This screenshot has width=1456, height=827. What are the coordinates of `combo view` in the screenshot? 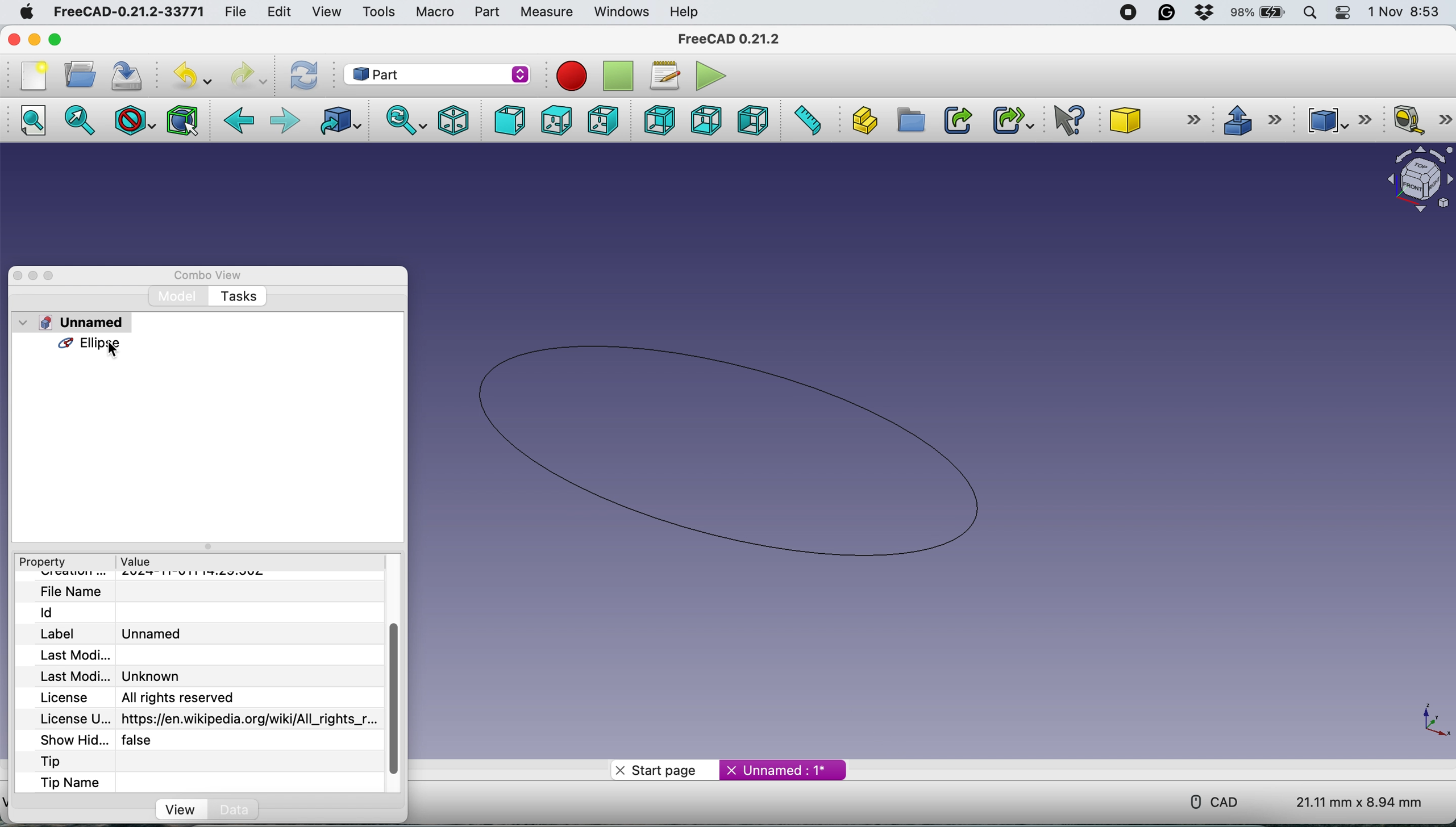 It's located at (207, 275).